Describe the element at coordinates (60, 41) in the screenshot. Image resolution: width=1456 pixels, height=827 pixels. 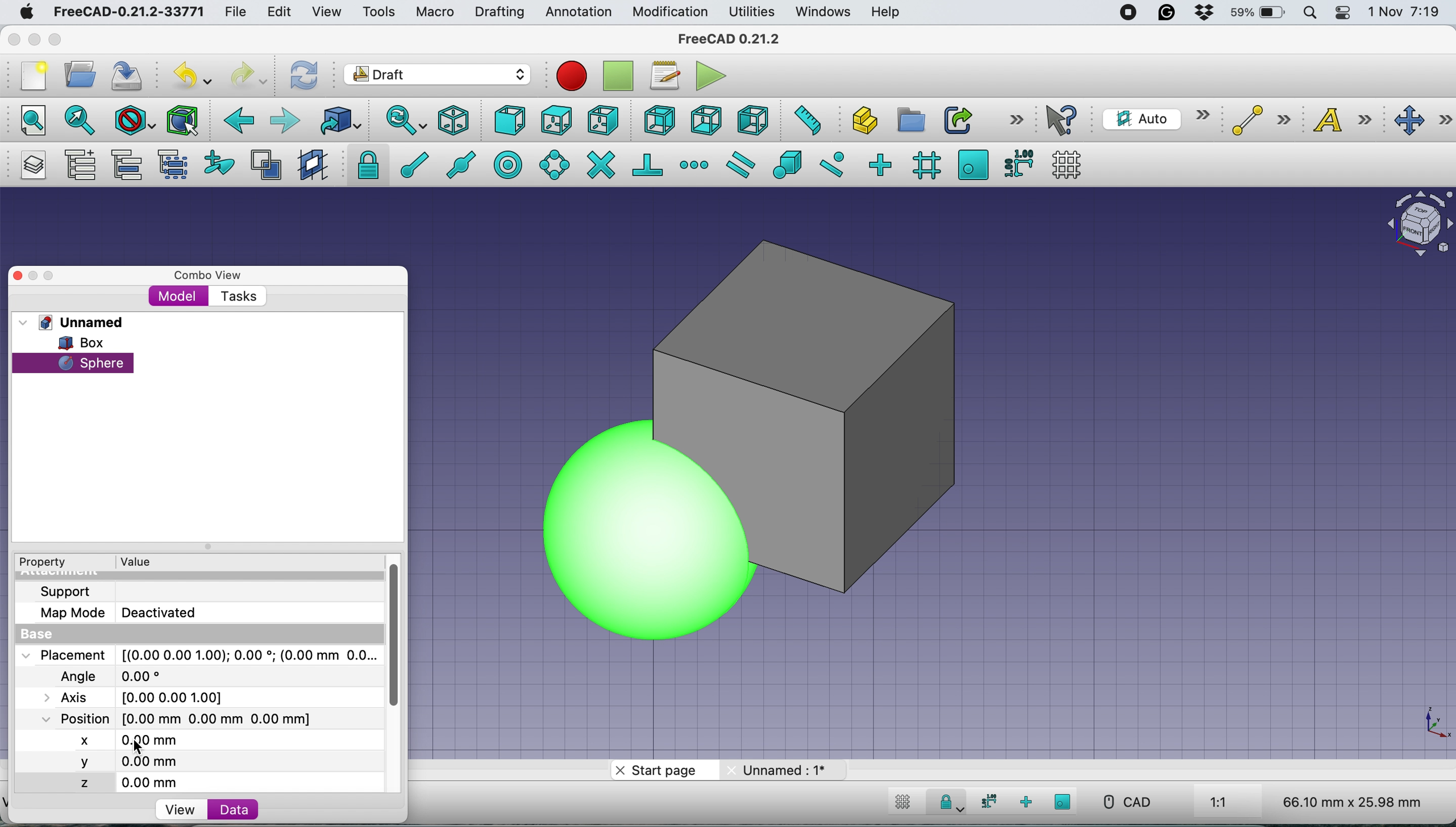
I see `maximise` at that location.